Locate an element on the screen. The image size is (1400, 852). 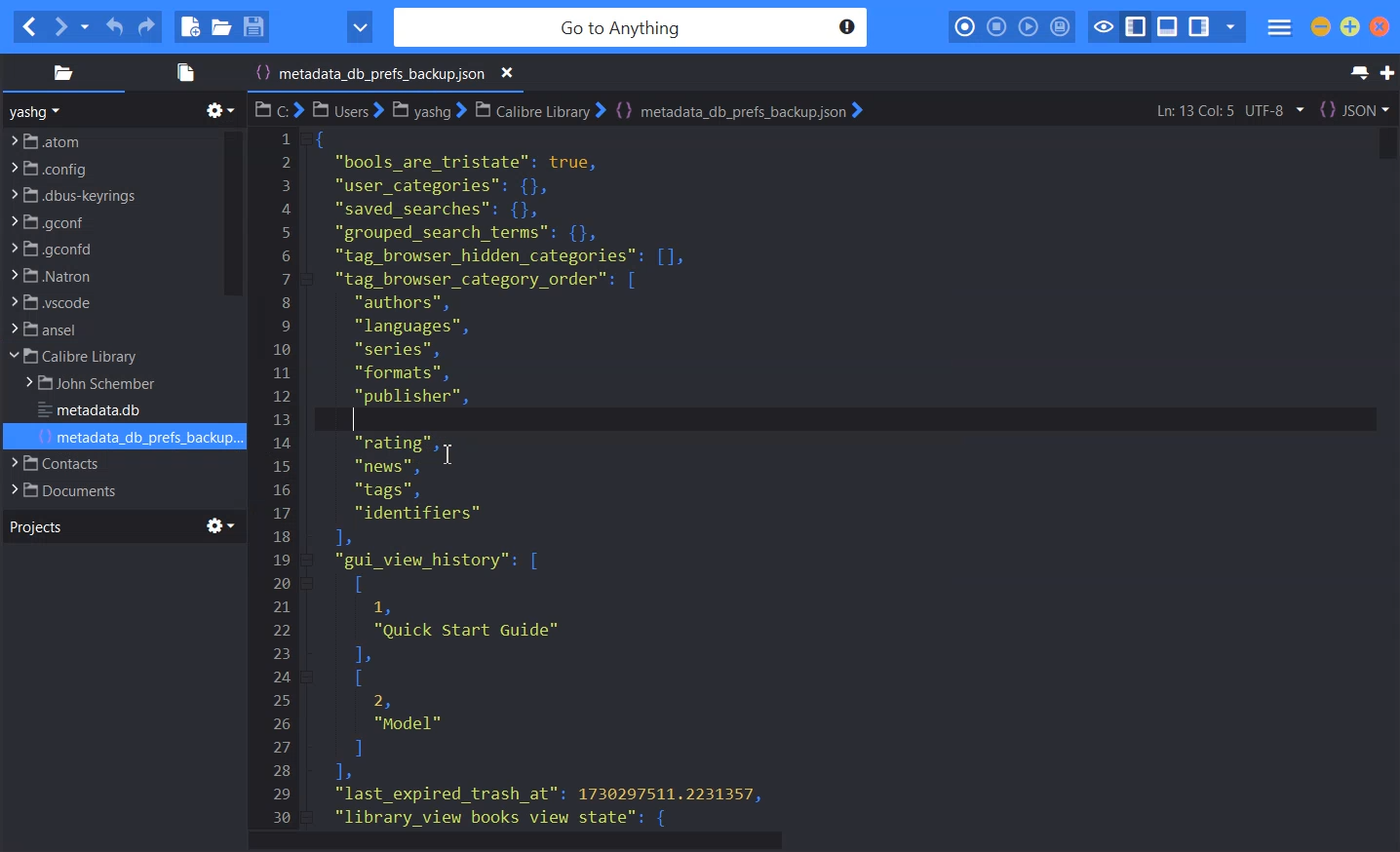
Go Forward one location is located at coordinates (59, 27).